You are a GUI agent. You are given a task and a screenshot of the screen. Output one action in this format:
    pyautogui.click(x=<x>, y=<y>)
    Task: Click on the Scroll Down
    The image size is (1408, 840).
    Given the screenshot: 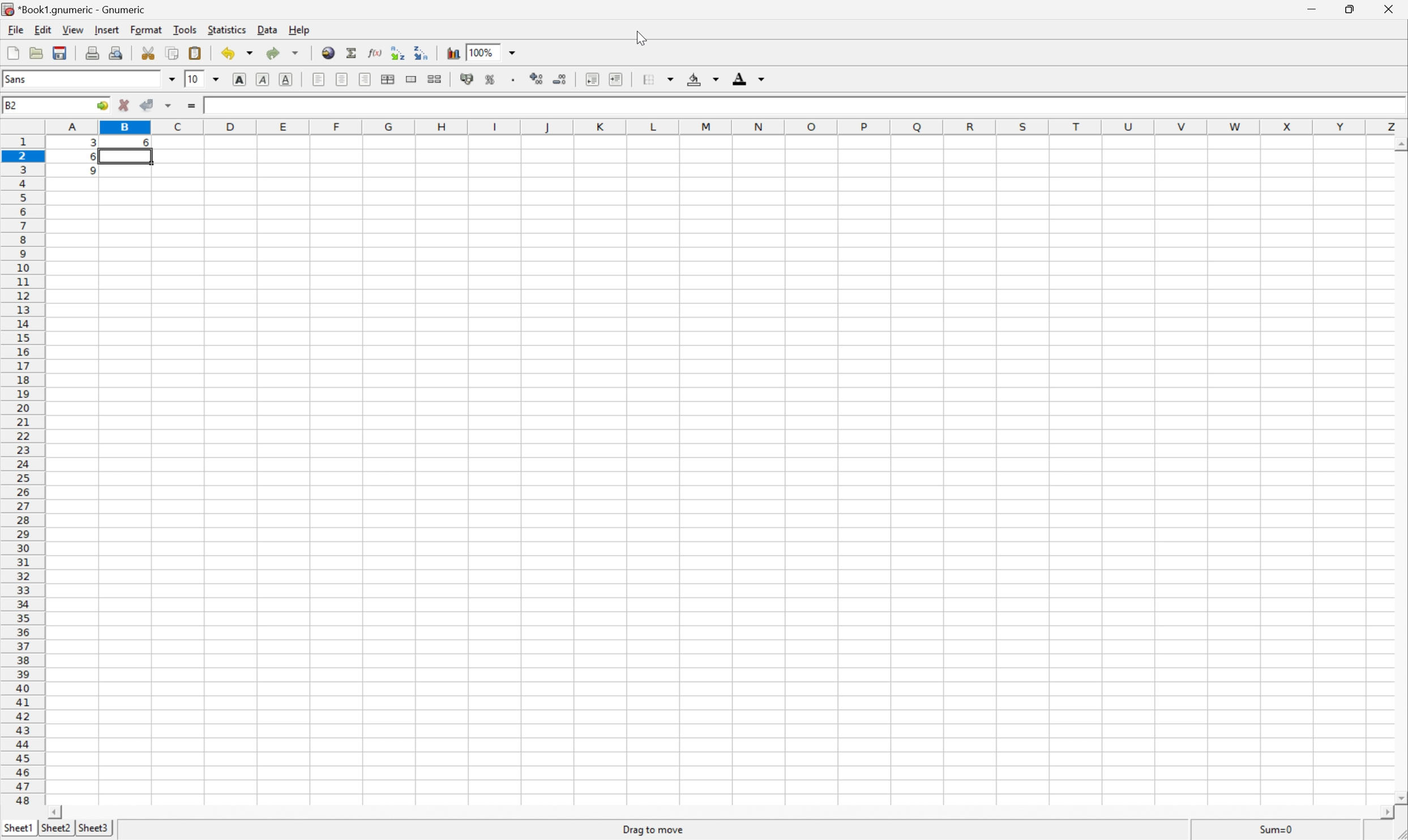 What is the action you would take?
    pyautogui.click(x=1399, y=797)
    